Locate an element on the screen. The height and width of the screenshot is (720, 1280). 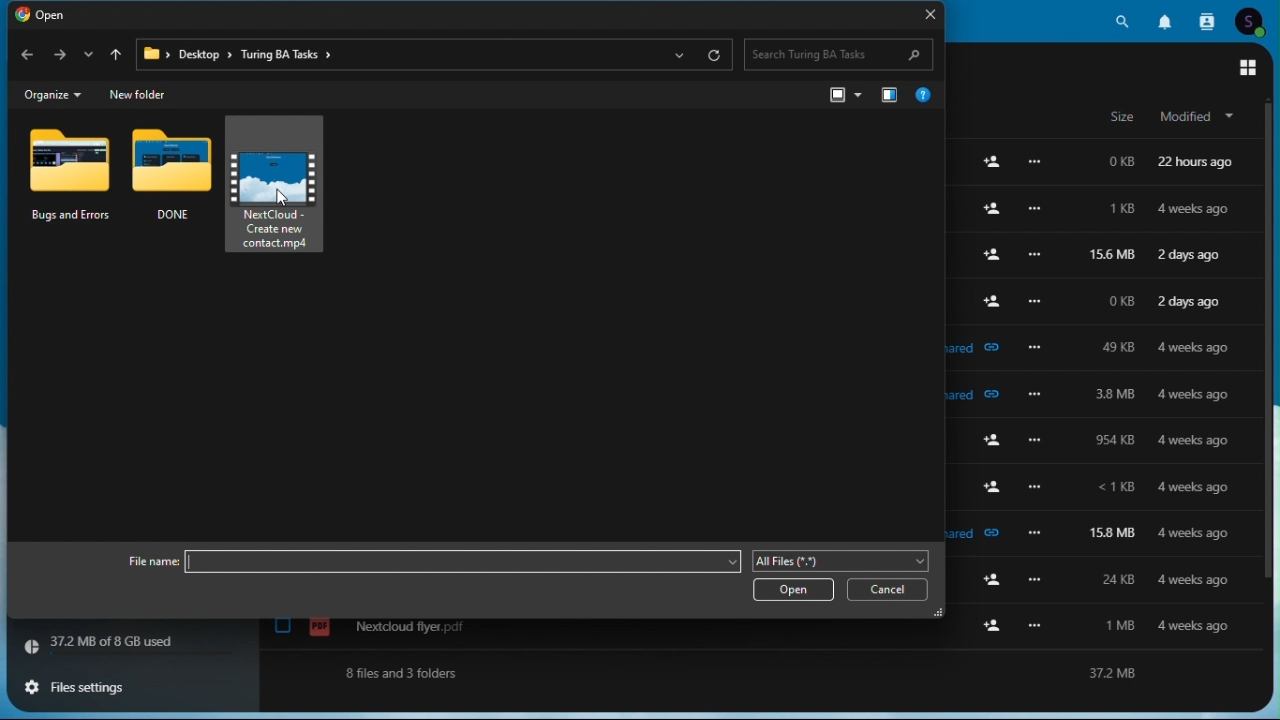
Notifications is located at coordinates (1163, 21).